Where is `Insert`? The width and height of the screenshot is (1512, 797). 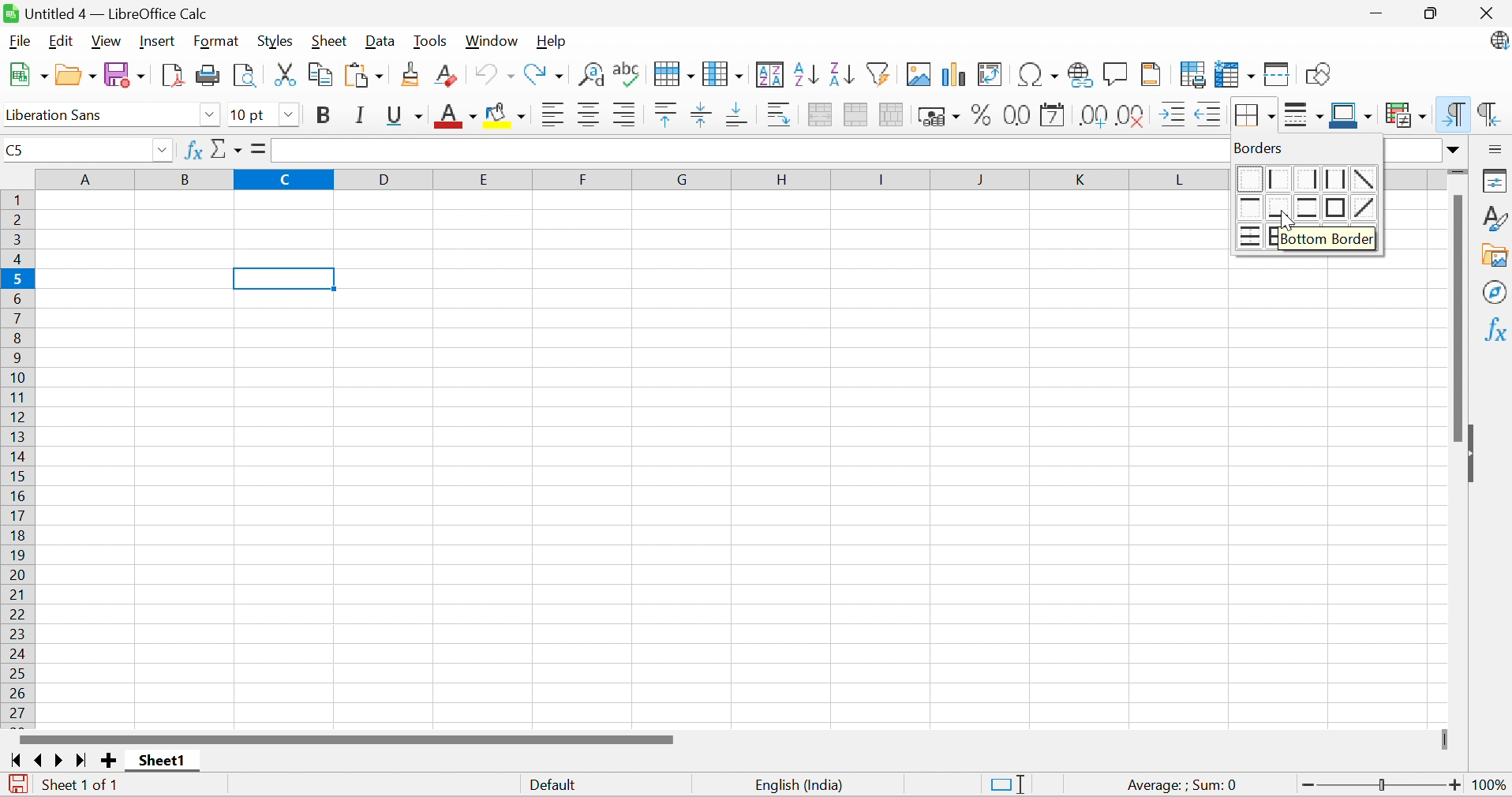 Insert is located at coordinates (158, 41).